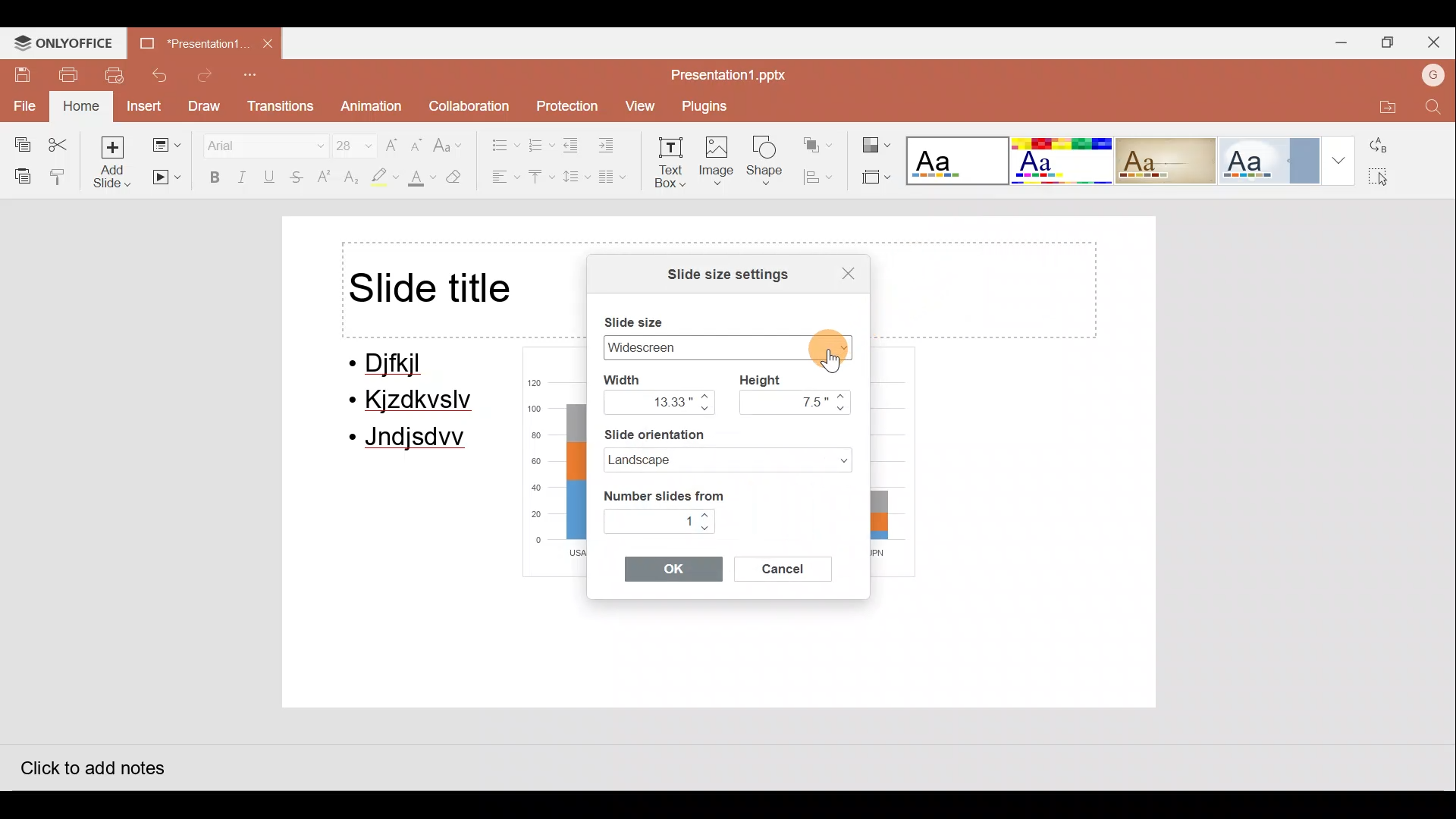 The width and height of the screenshot is (1456, 819). What do you see at coordinates (497, 141) in the screenshot?
I see `Bullets` at bounding box center [497, 141].